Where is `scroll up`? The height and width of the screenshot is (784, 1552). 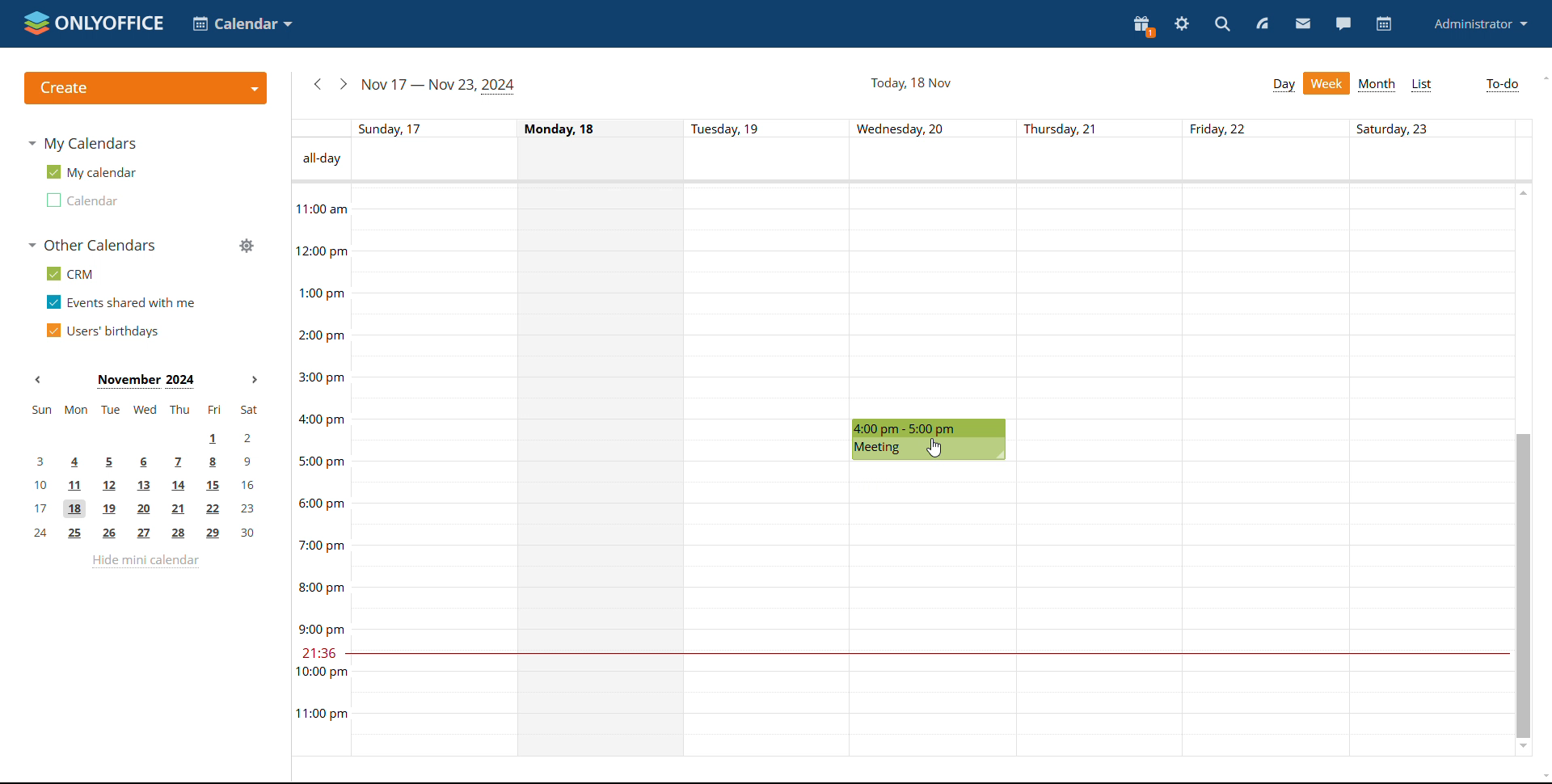
scroll up is located at coordinates (1522, 192).